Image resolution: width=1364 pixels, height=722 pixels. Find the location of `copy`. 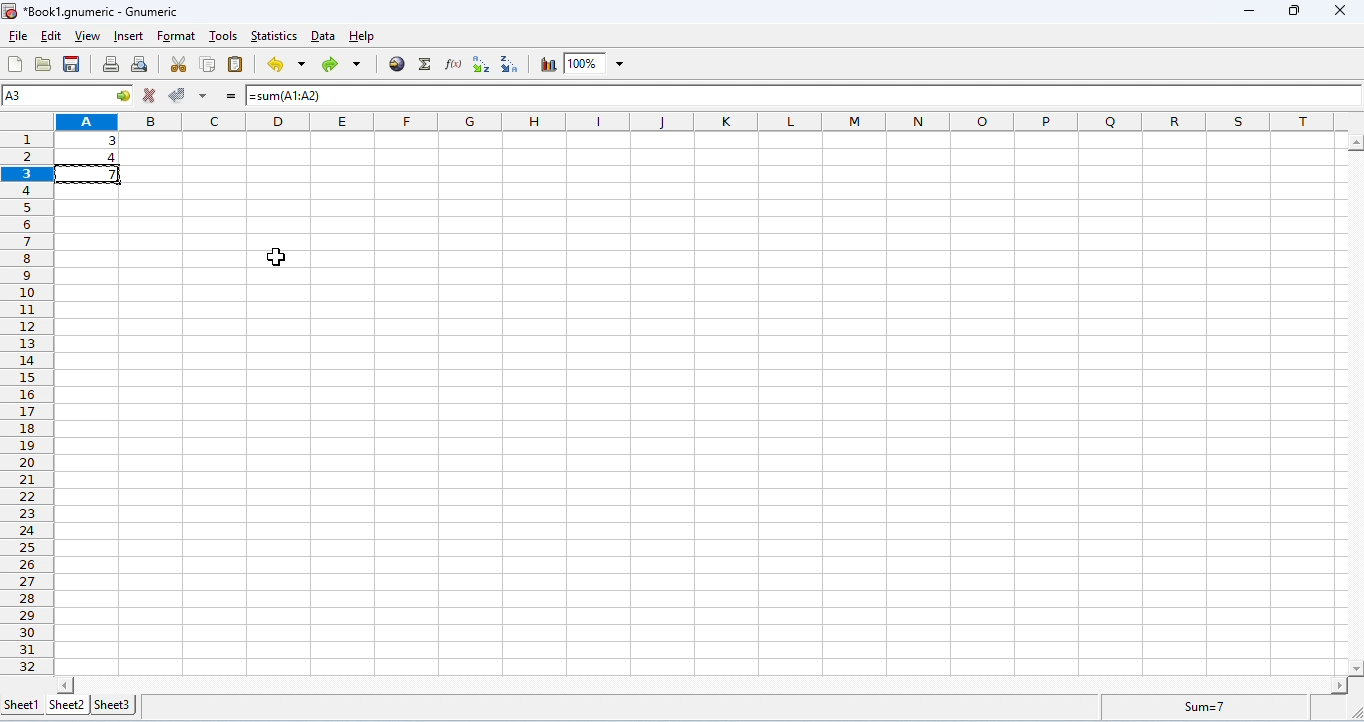

copy is located at coordinates (209, 65).